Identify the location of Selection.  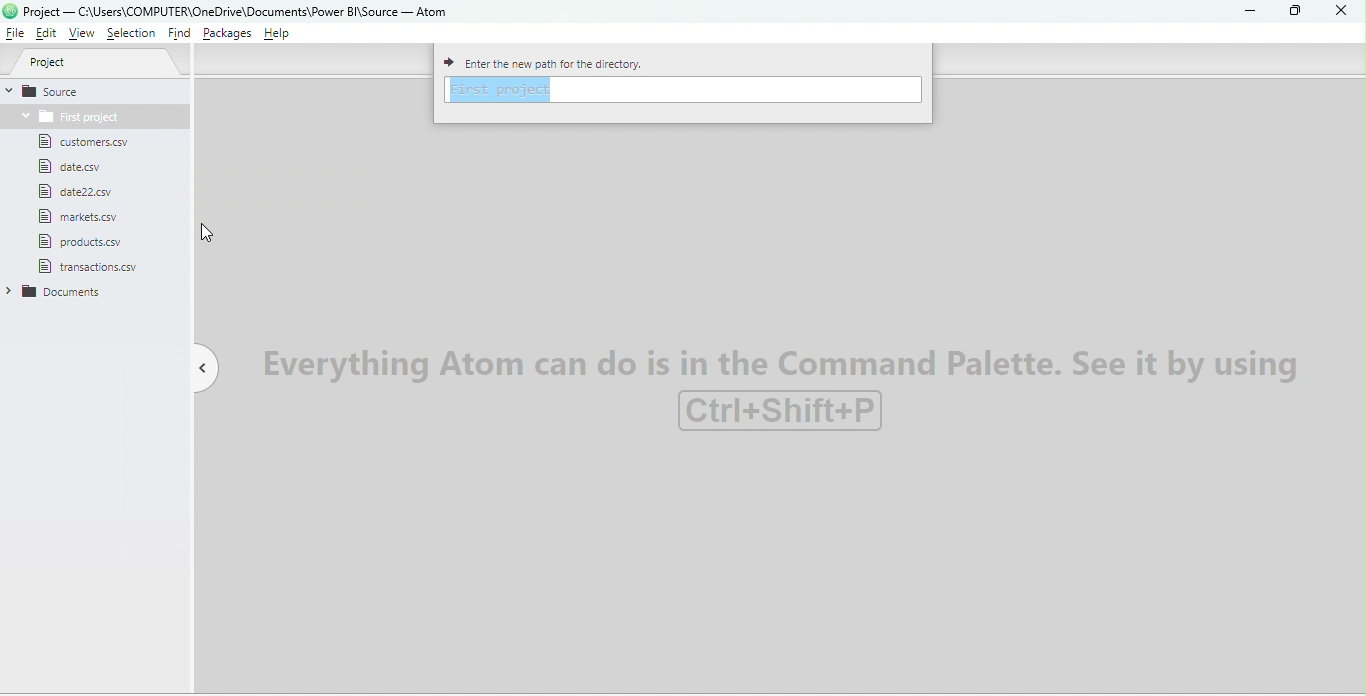
(134, 36).